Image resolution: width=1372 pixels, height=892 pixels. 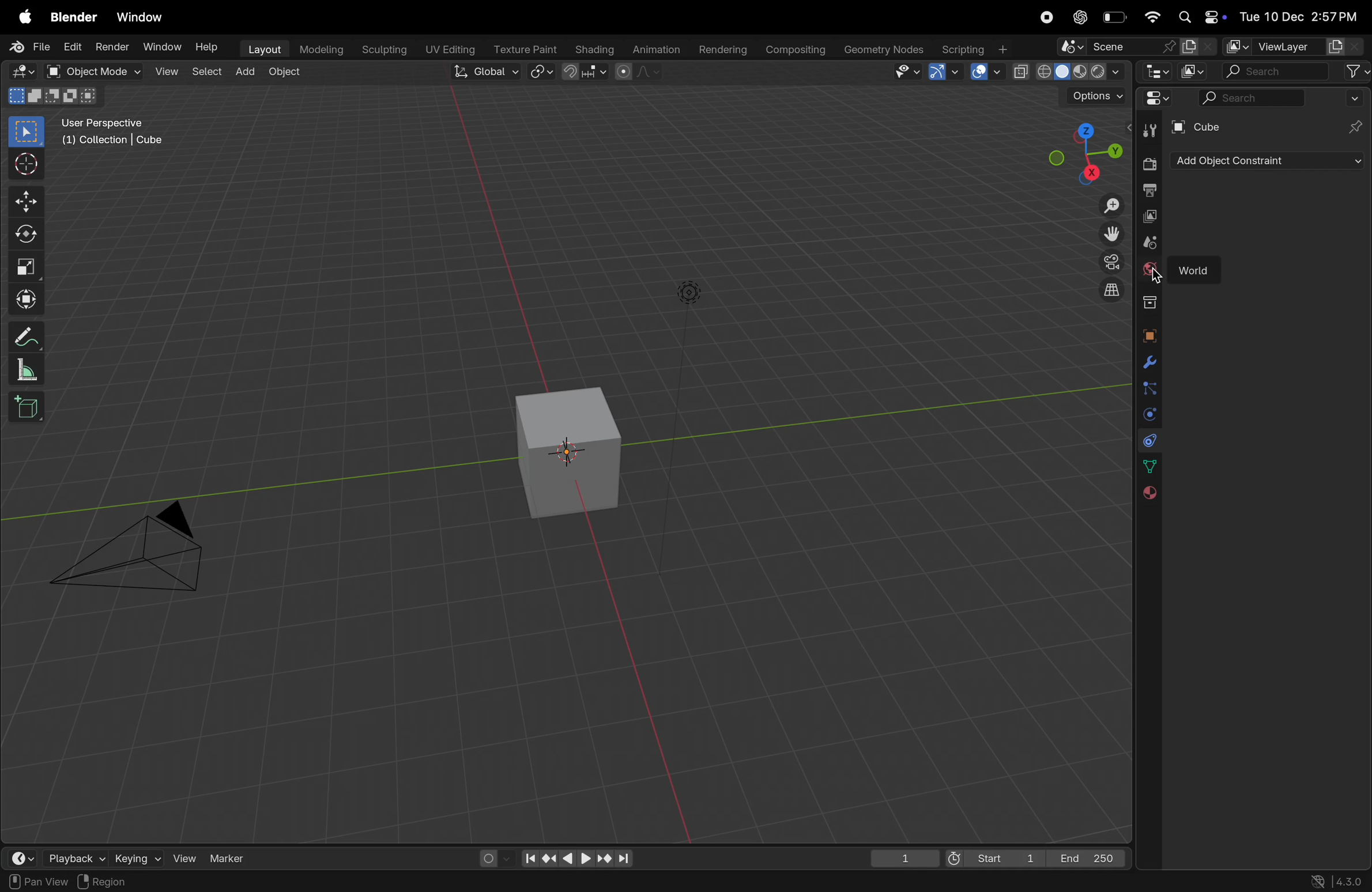 What do you see at coordinates (1152, 129) in the screenshot?
I see `Tool` at bounding box center [1152, 129].